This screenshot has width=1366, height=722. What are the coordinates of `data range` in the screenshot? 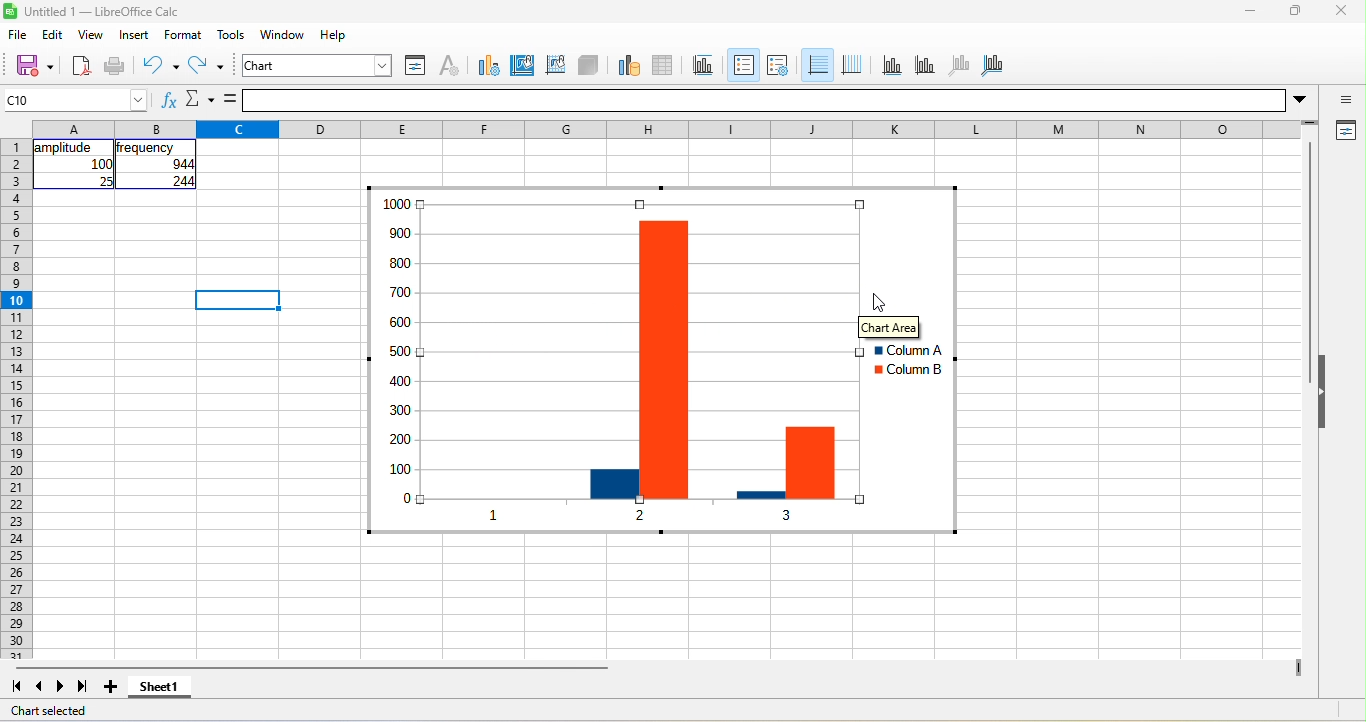 It's located at (626, 64).